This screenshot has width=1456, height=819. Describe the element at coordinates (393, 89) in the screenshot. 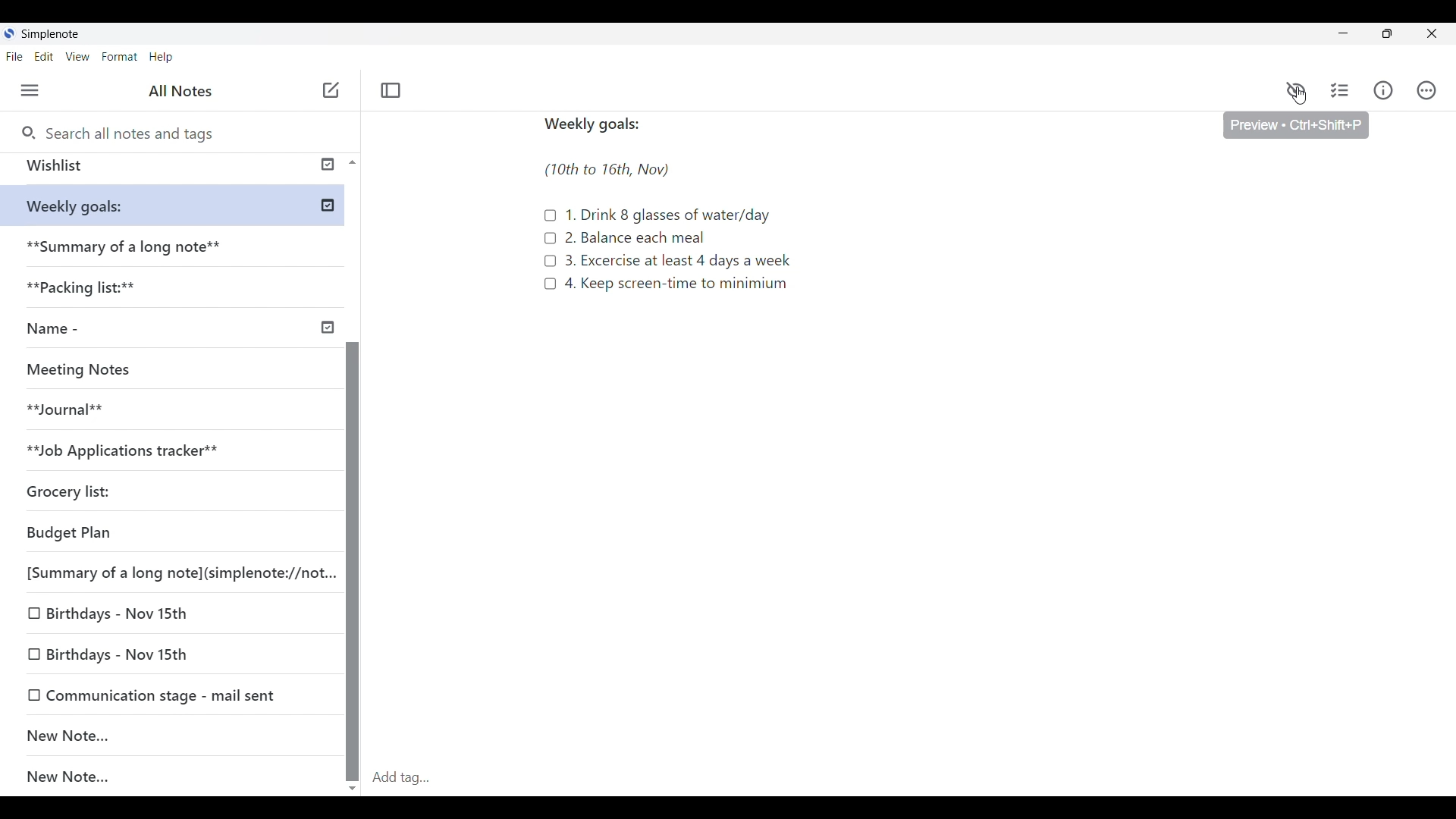

I see `Toggle focus mode` at that location.